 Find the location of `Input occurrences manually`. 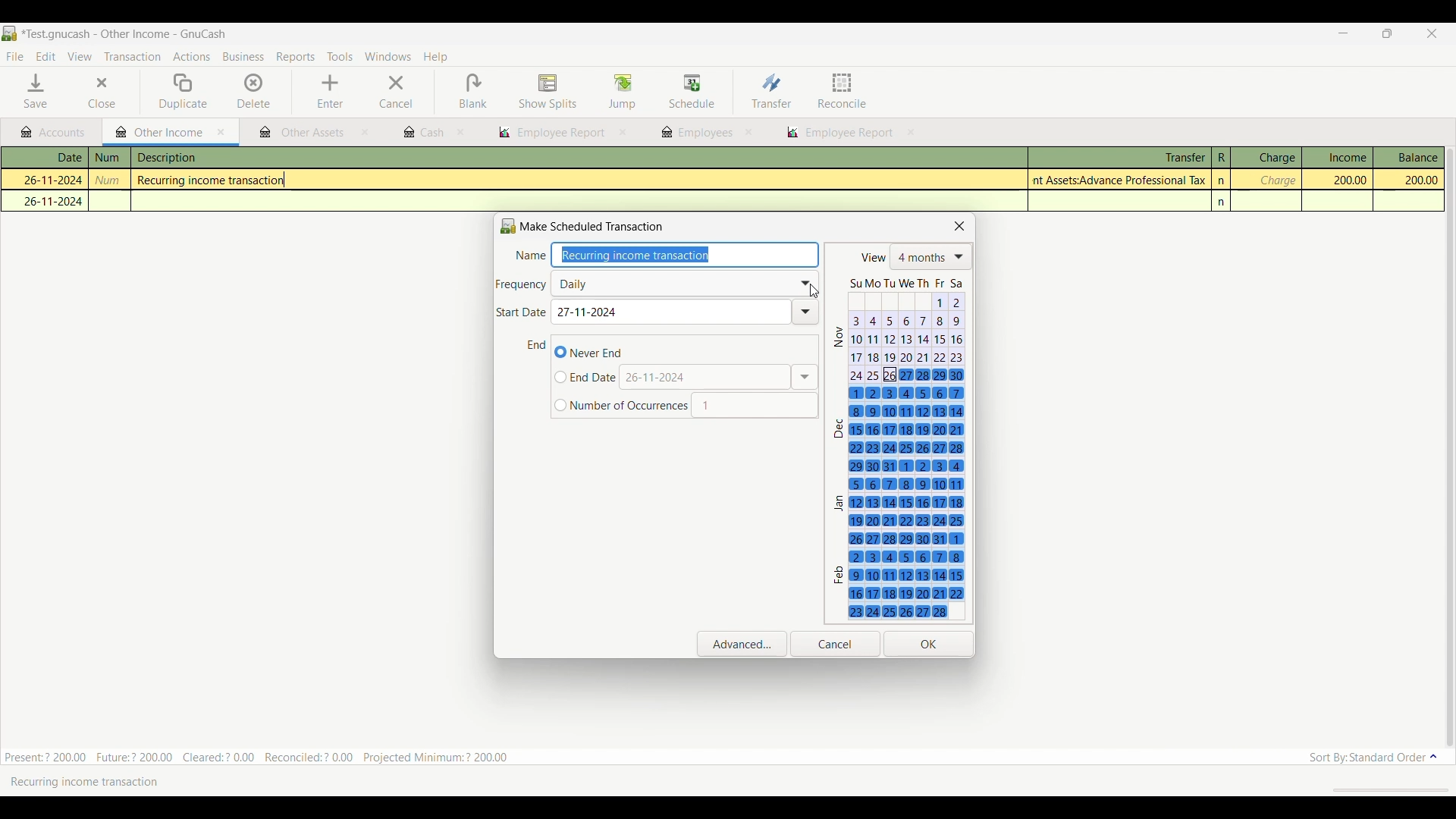

Input occurrences manually is located at coordinates (755, 405).